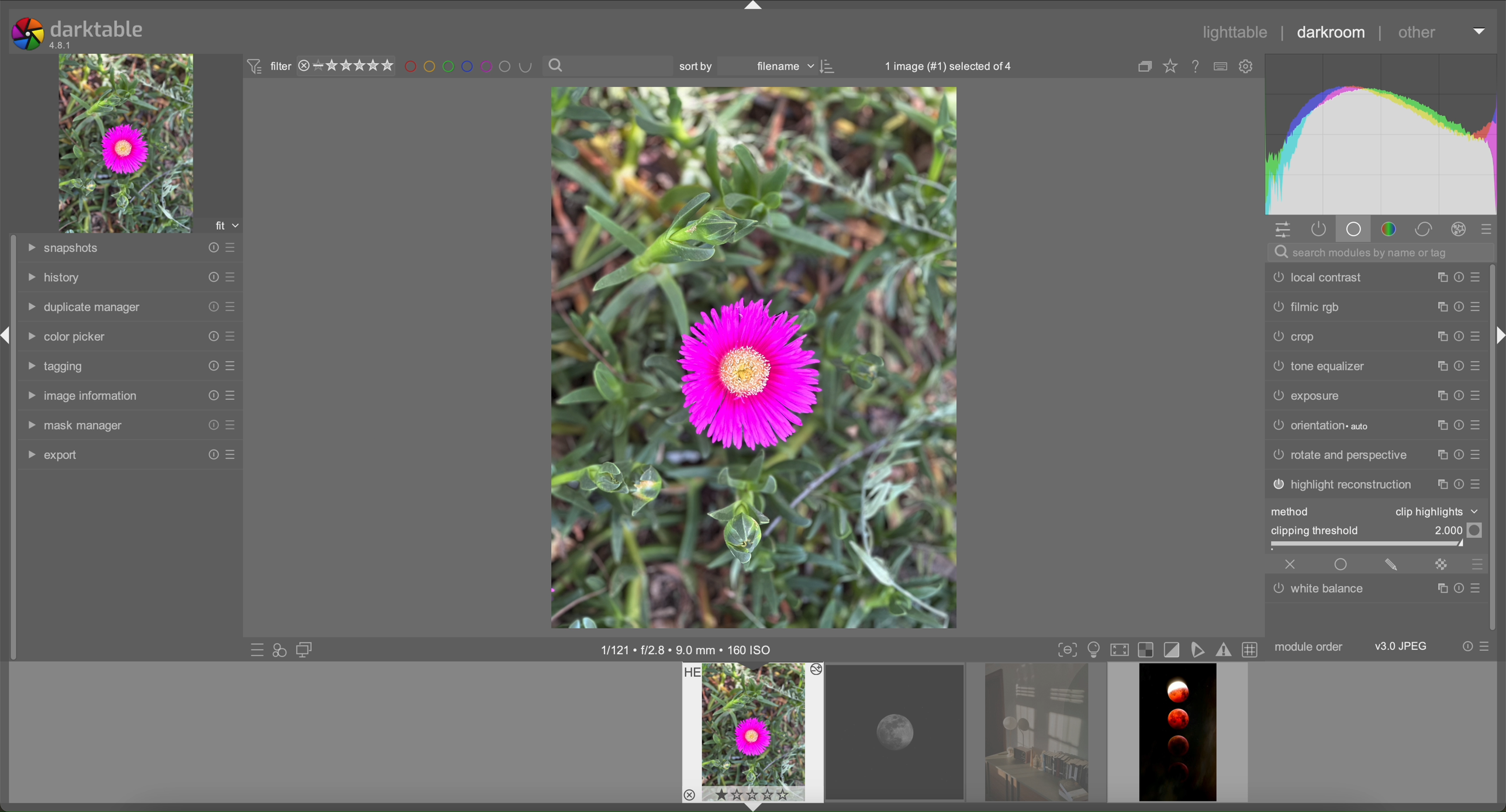 This screenshot has width=1506, height=812. What do you see at coordinates (688, 649) in the screenshot?
I see `image information` at bounding box center [688, 649].